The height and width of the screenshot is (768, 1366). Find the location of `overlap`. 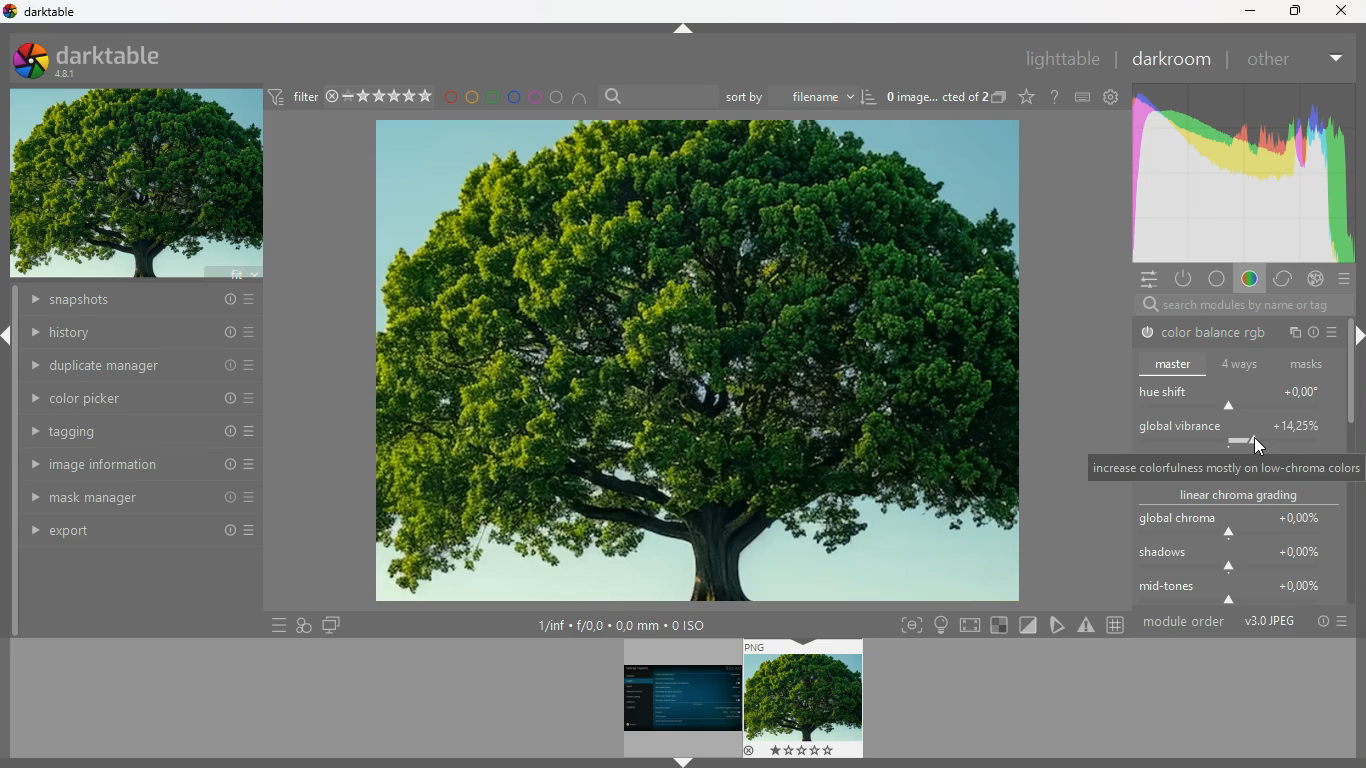

overlap is located at coordinates (304, 623).